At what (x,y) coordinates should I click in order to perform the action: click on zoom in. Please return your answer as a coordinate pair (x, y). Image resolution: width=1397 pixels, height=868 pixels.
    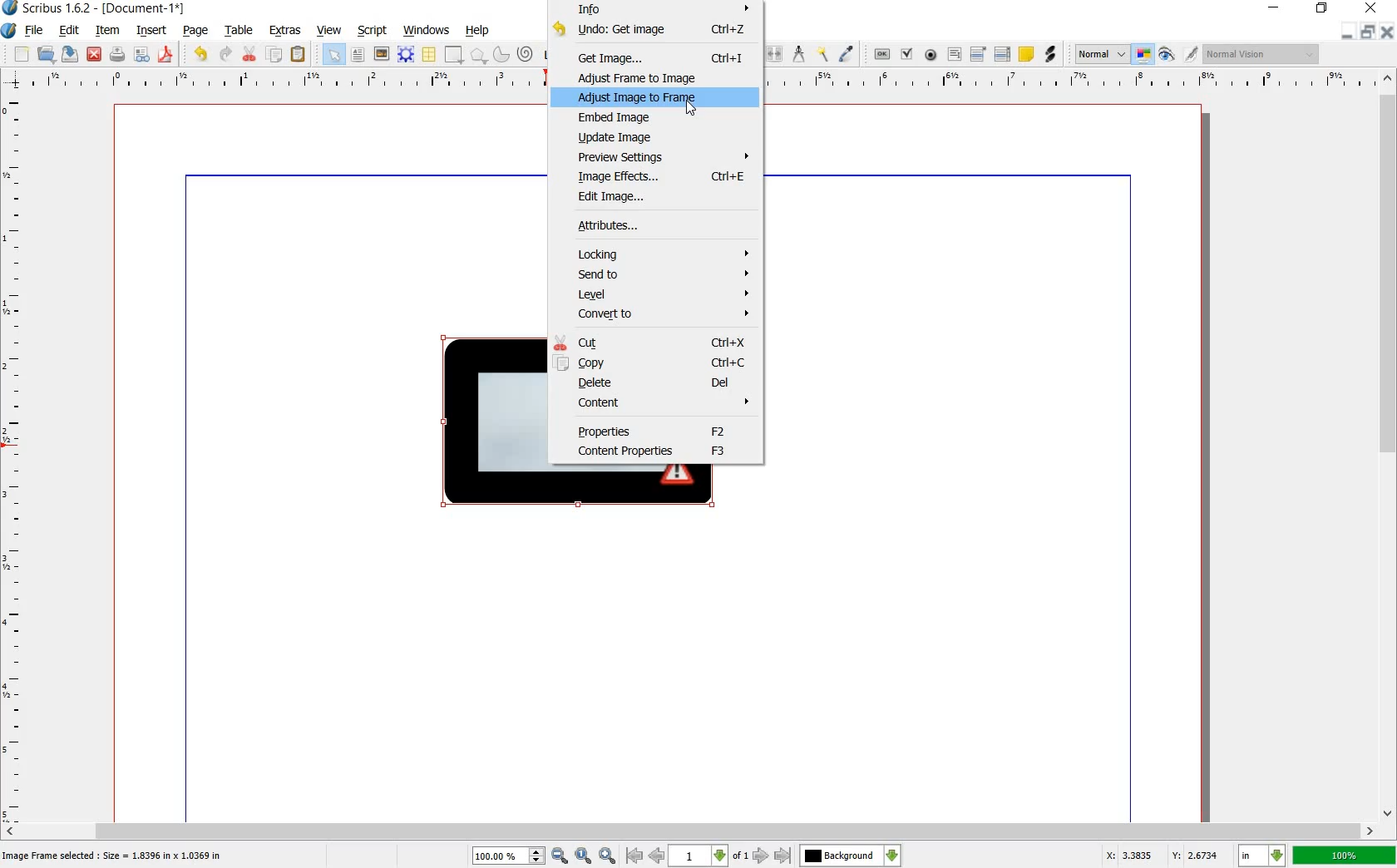
    Looking at the image, I should click on (521, 855).